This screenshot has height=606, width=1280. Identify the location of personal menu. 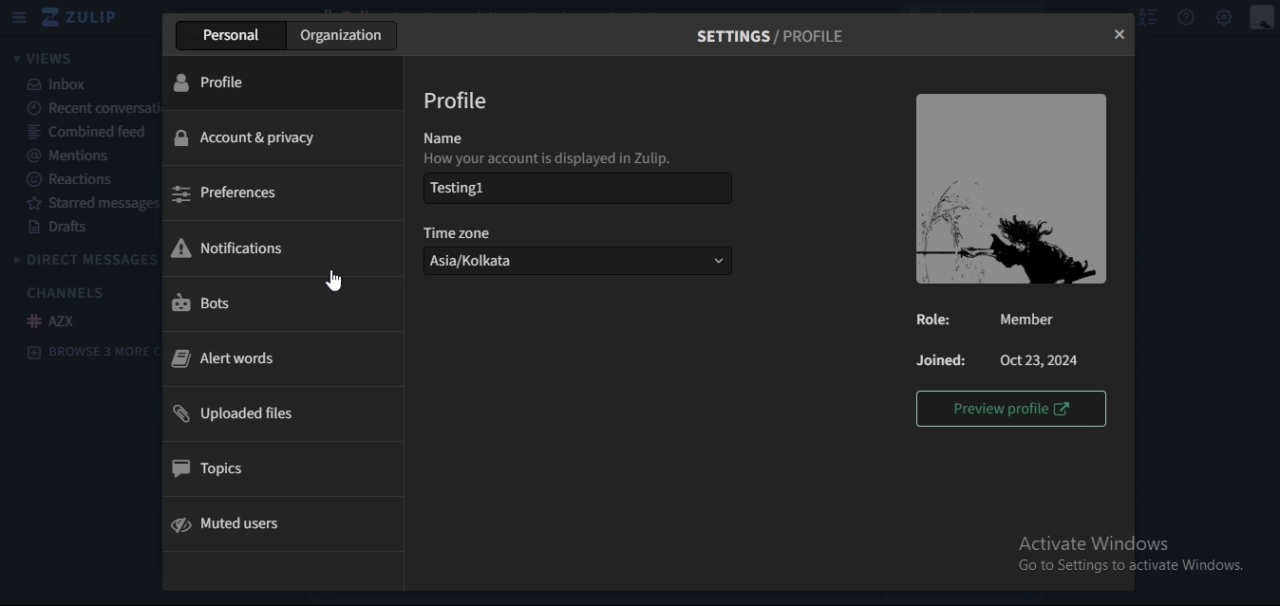
(1263, 18).